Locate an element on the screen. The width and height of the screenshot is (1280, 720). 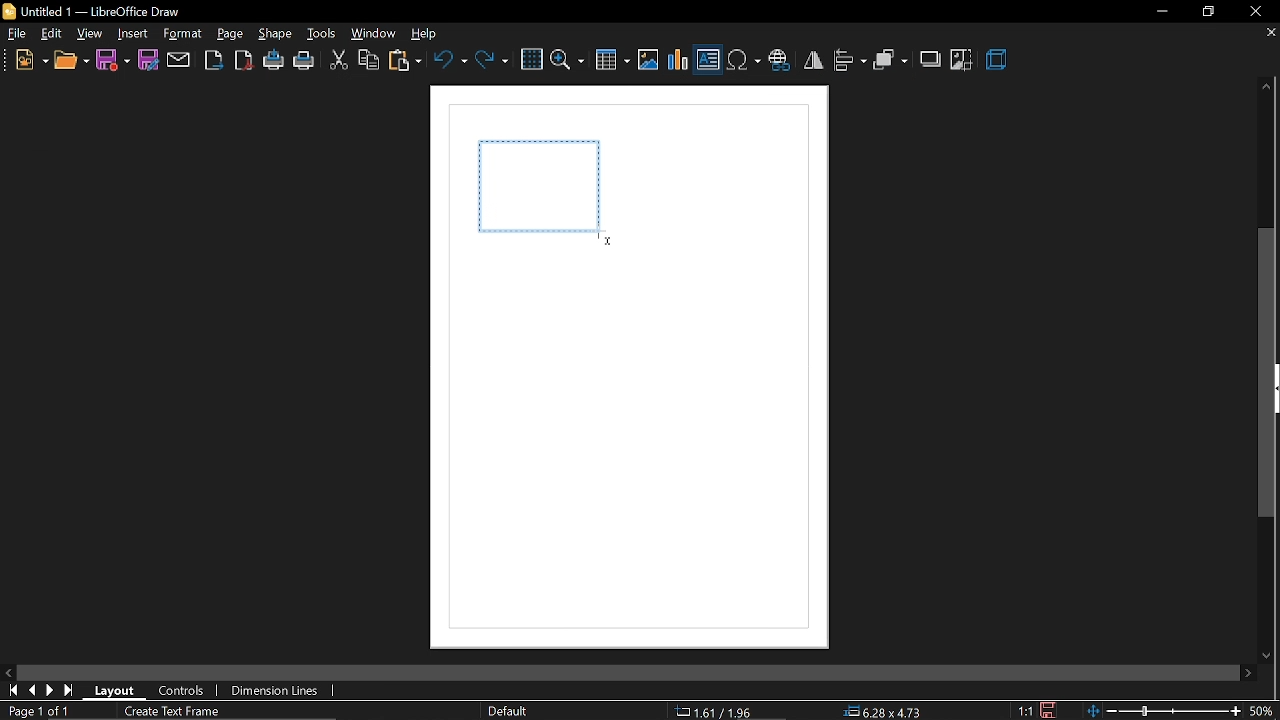
close current tab is located at coordinates (1265, 33).